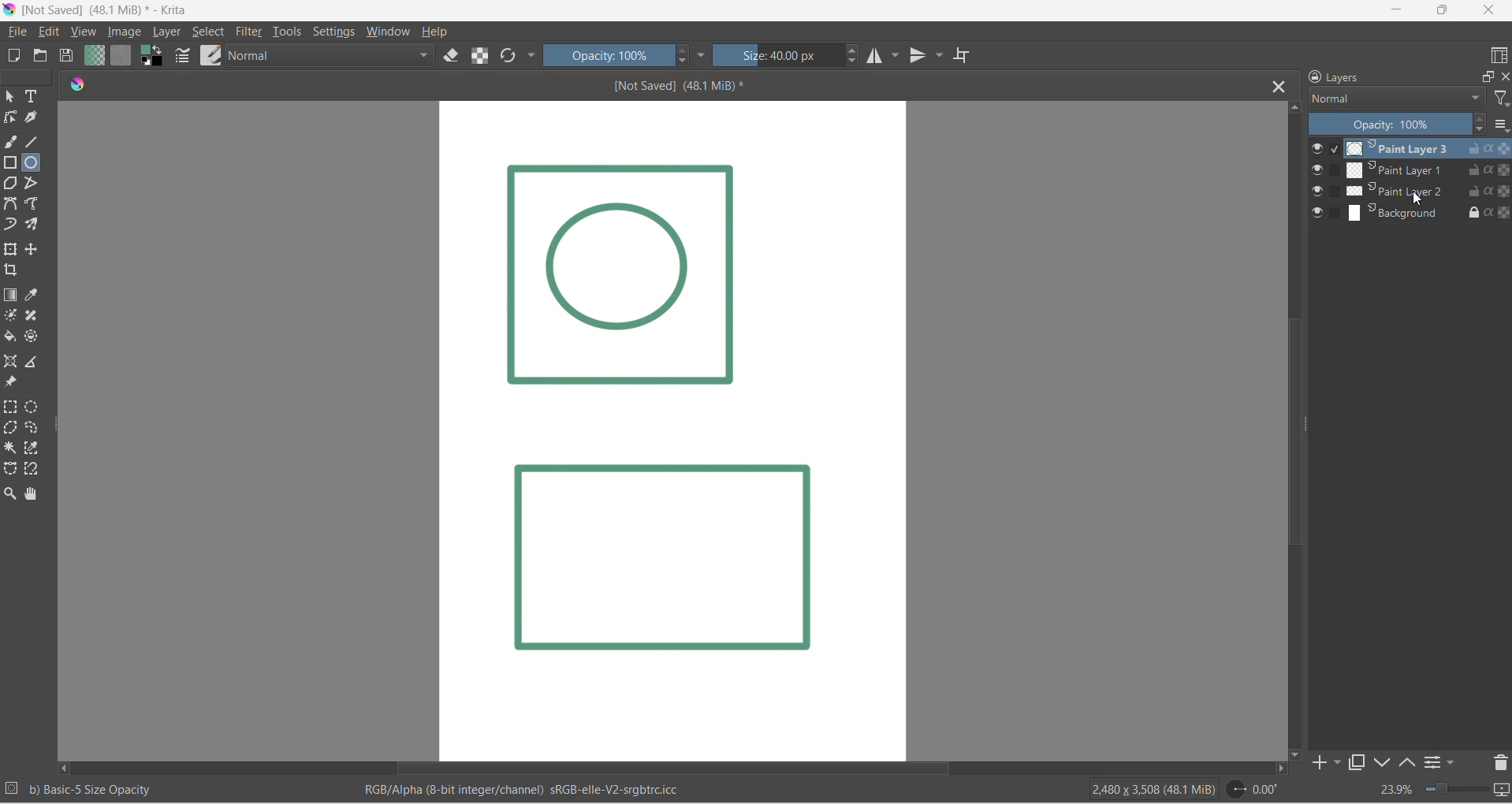 The width and height of the screenshot is (1512, 804). Describe the element at coordinates (288, 32) in the screenshot. I see `tools` at that location.